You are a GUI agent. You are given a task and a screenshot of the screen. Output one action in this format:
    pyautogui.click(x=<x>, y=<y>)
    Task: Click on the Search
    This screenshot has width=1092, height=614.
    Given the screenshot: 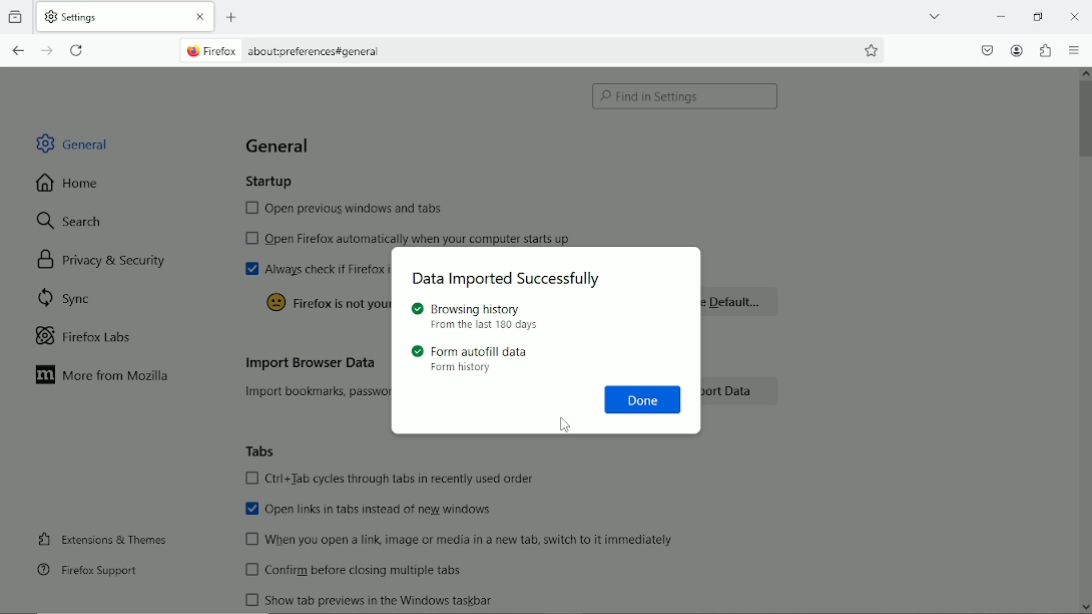 What is the action you would take?
    pyautogui.click(x=69, y=219)
    